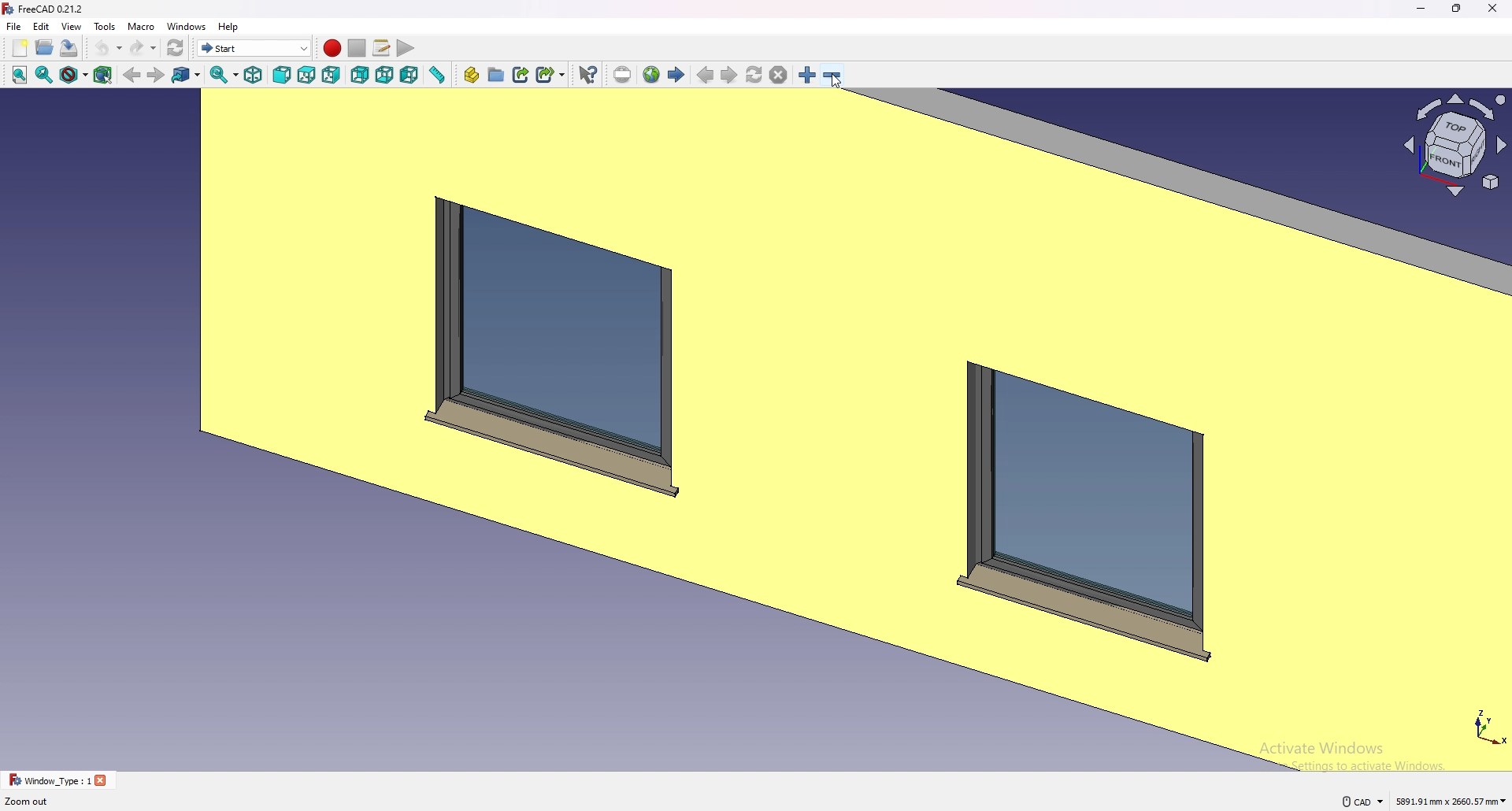  Describe the element at coordinates (104, 26) in the screenshot. I see `tools` at that location.